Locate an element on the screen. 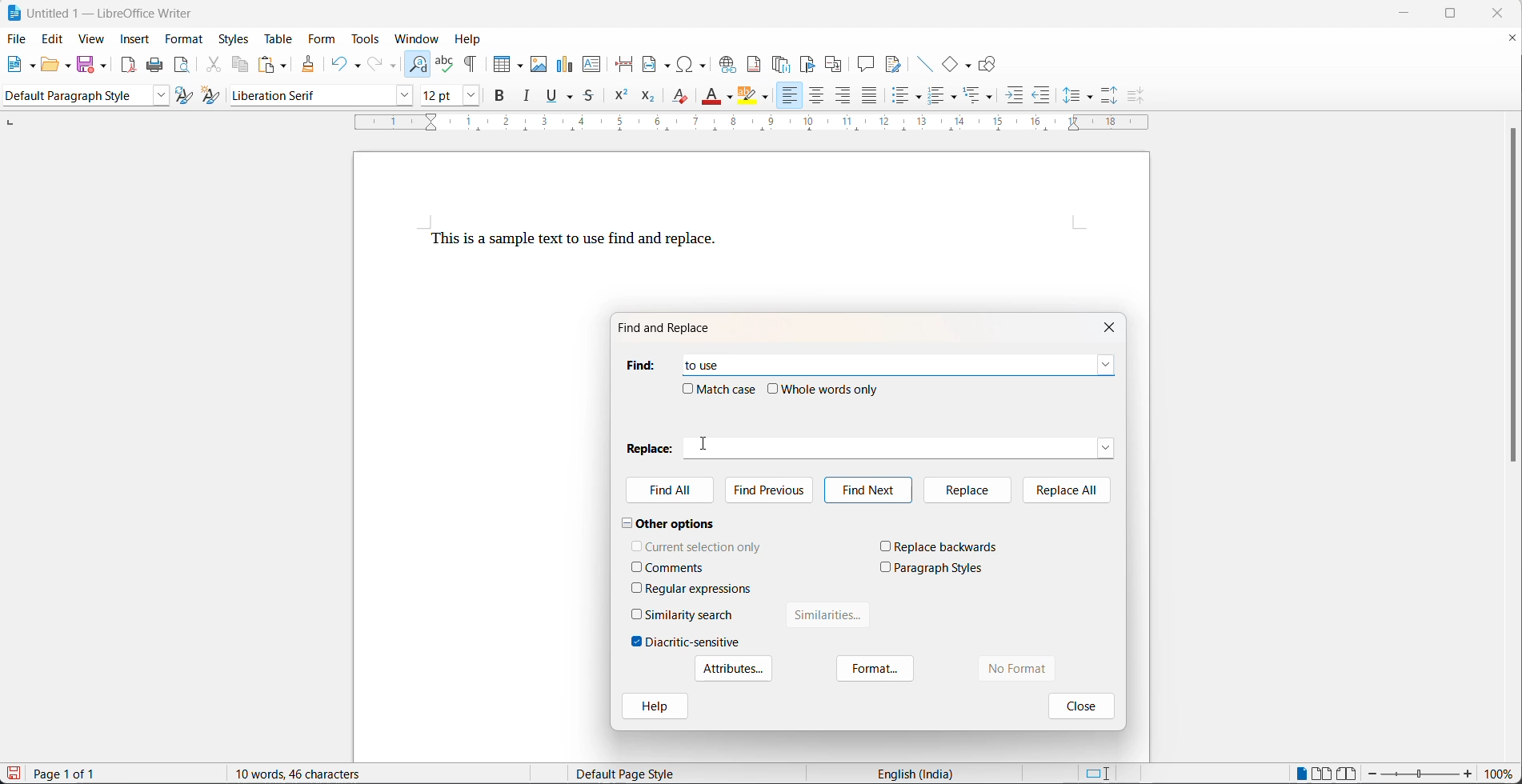 Image resolution: width=1522 pixels, height=784 pixels. checkbox is located at coordinates (637, 545).